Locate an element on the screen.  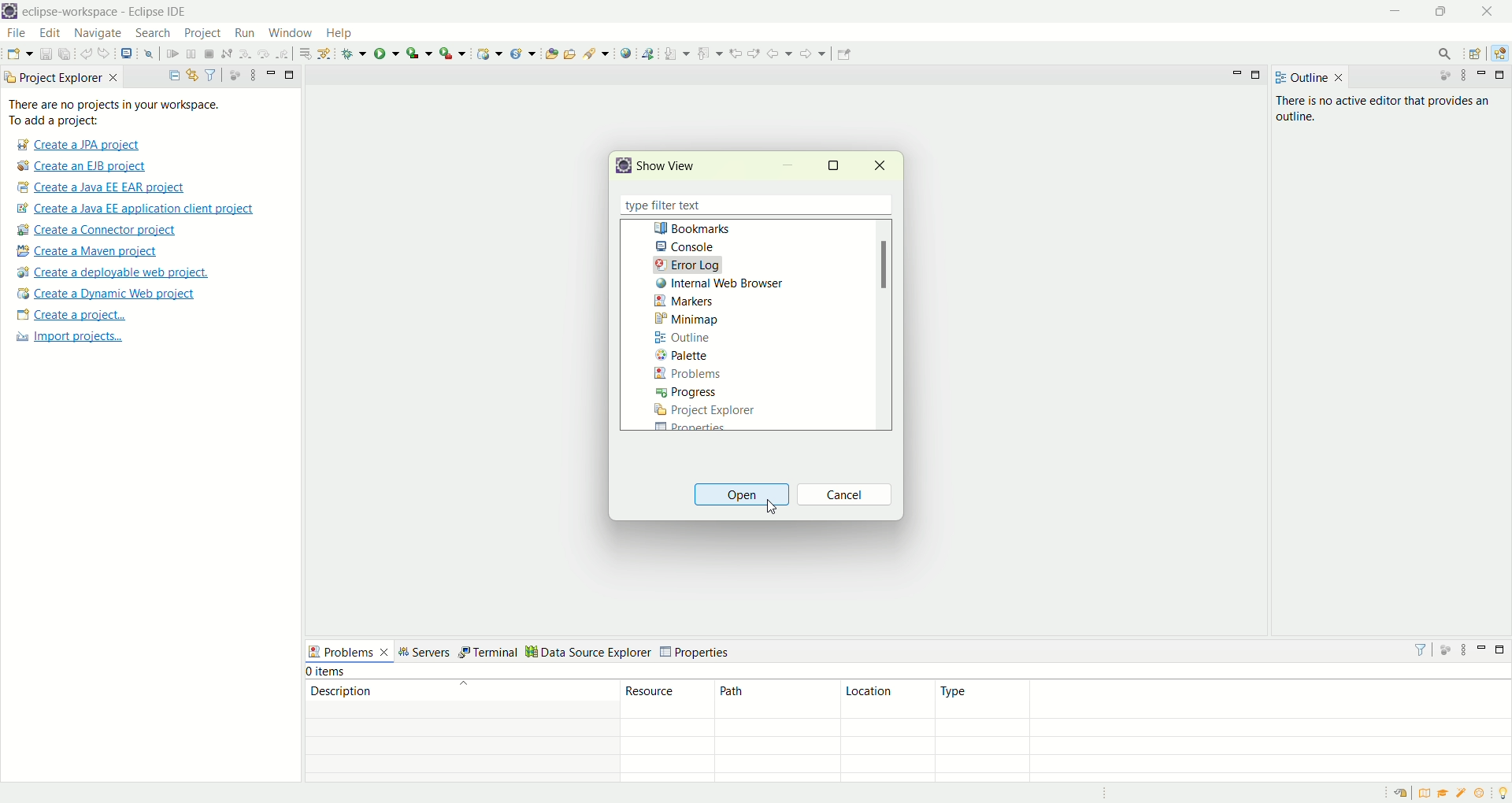
data source explorer is located at coordinates (587, 649).